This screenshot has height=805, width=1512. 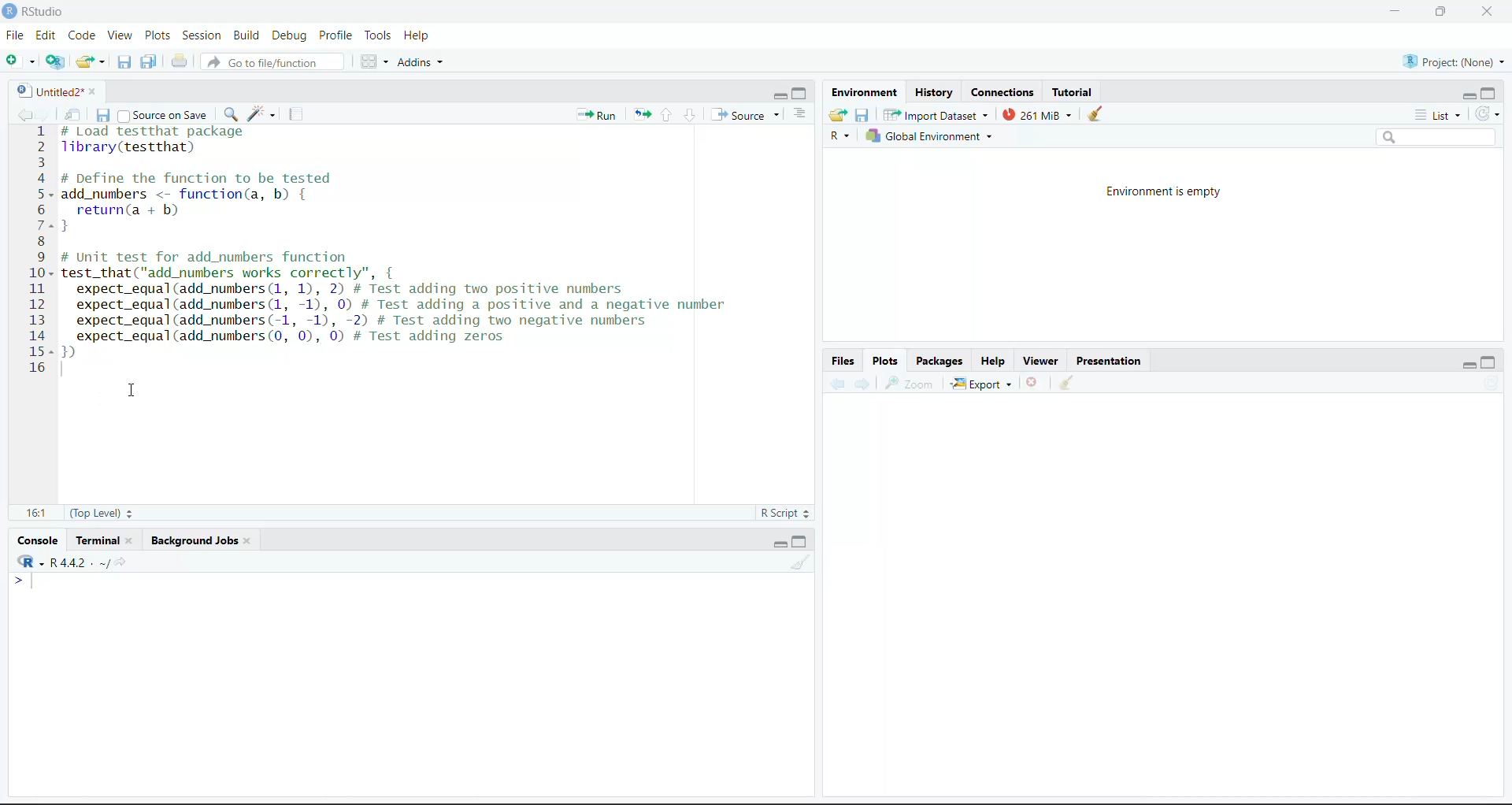 I want to click on Refresh, so click(x=1485, y=114).